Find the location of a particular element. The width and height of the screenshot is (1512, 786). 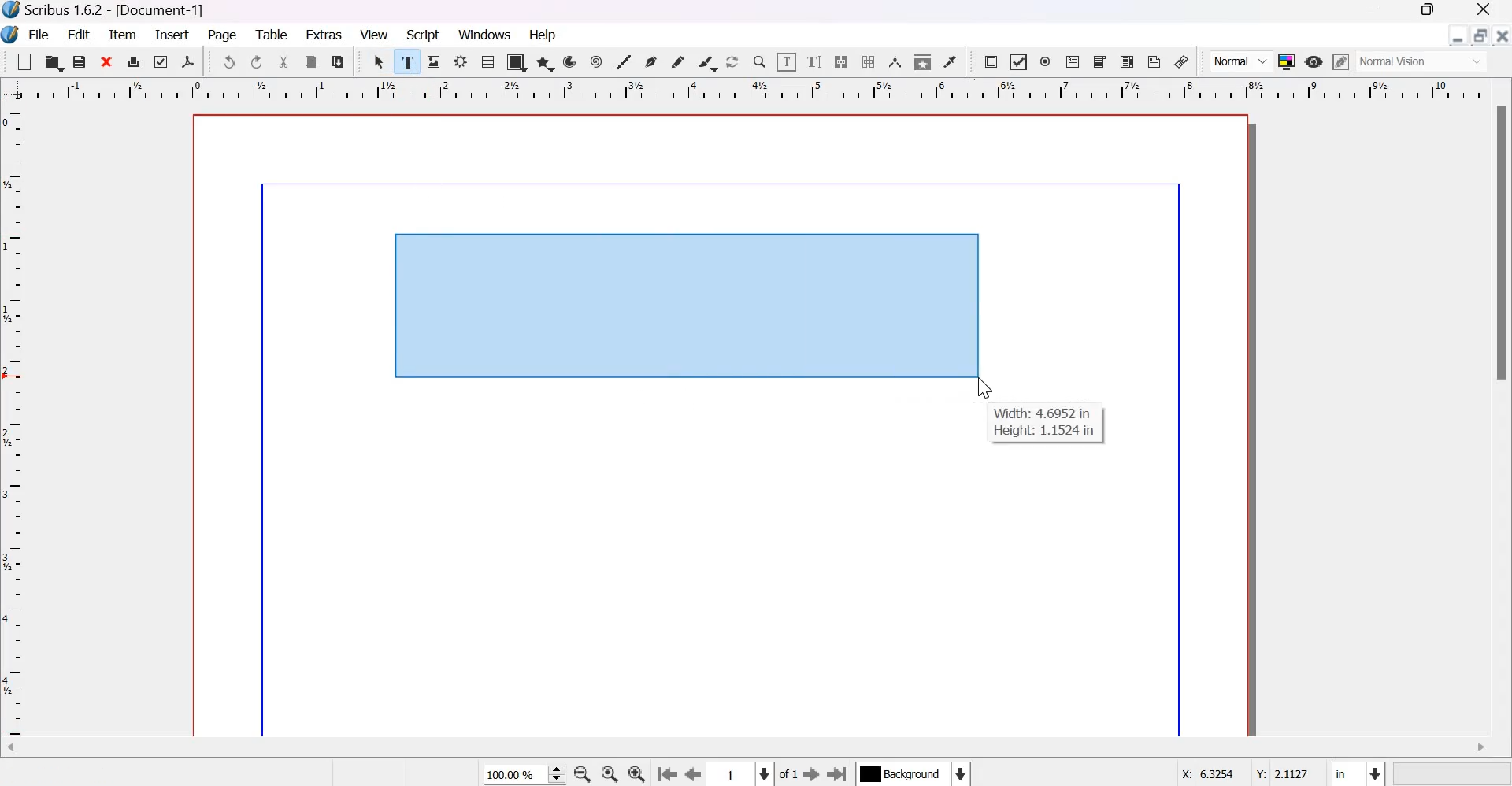

windows is located at coordinates (487, 35).